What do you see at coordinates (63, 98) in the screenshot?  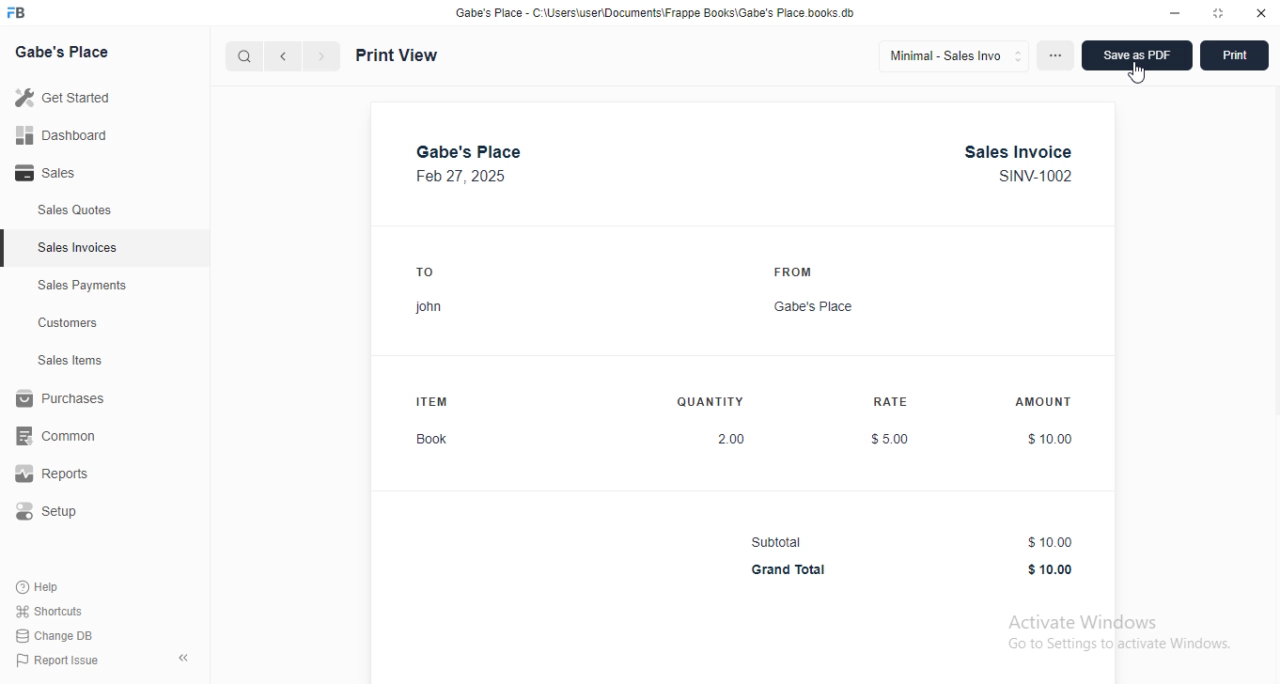 I see `get started` at bounding box center [63, 98].